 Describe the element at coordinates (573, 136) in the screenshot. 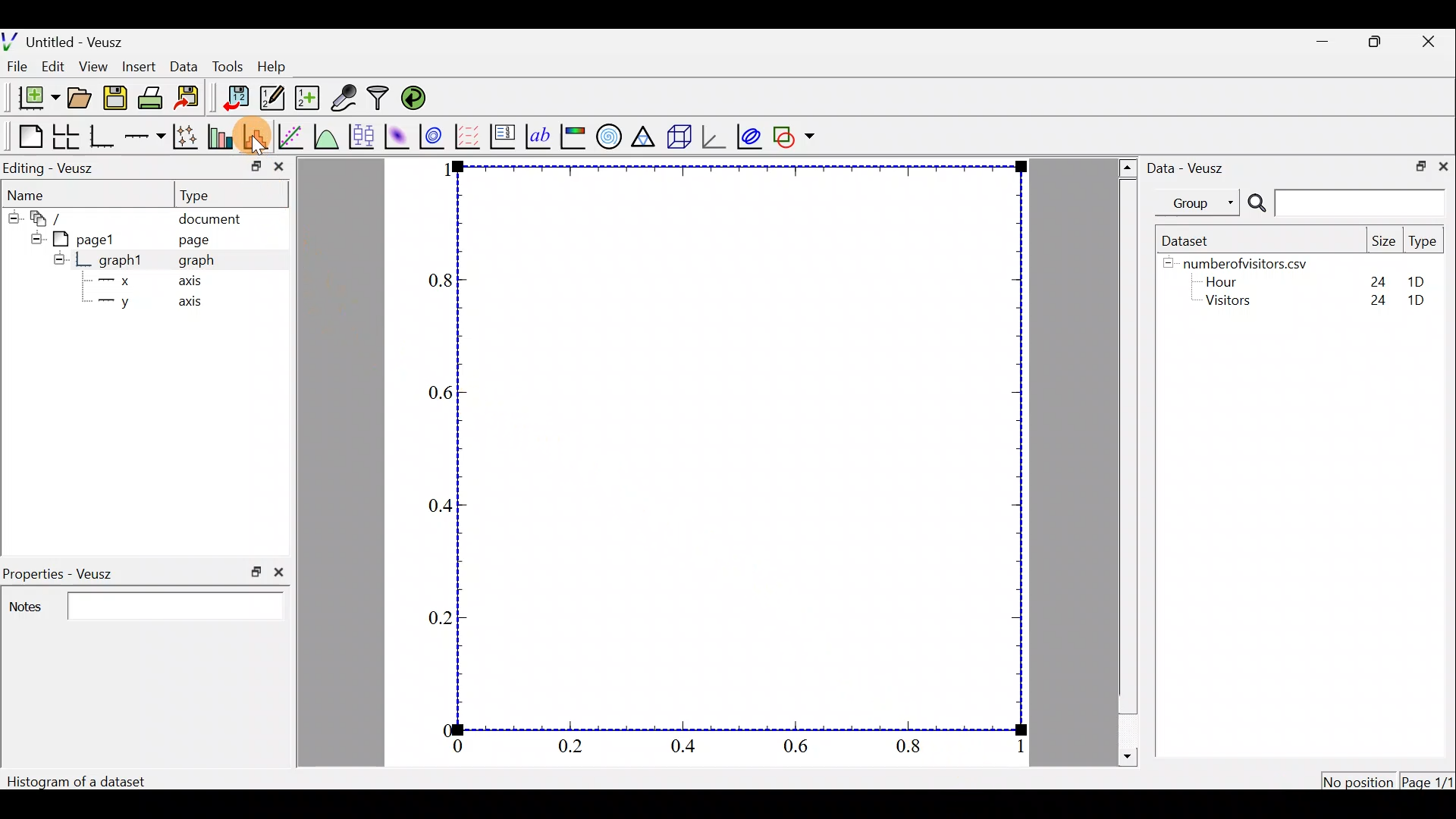

I see `image color bar` at that location.